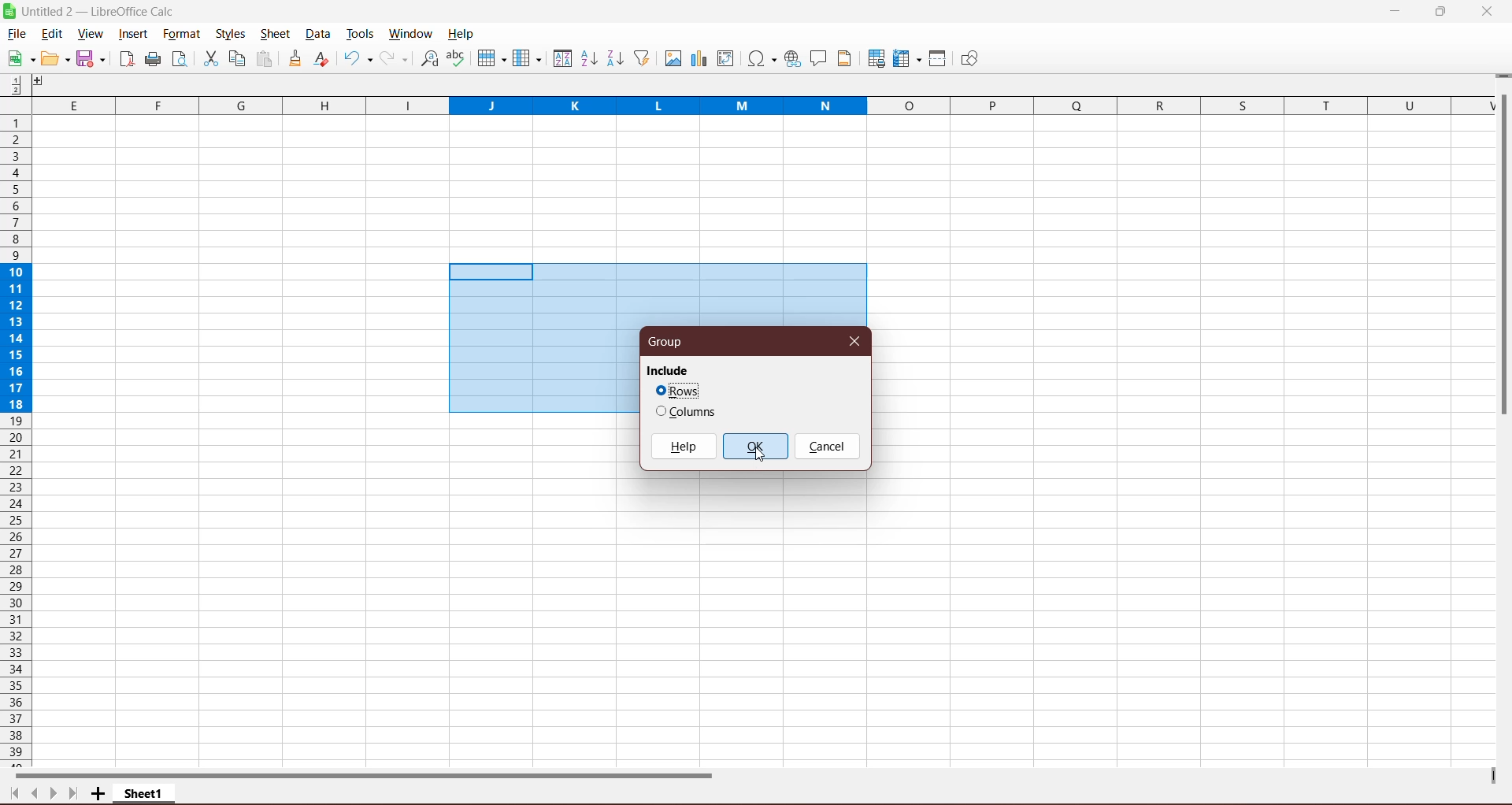 This screenshot has width=1512, height=805. What do you see at coordinates (938, 58) in the screenshot?
I see `Split Windows` at bounding box center [938, 58].